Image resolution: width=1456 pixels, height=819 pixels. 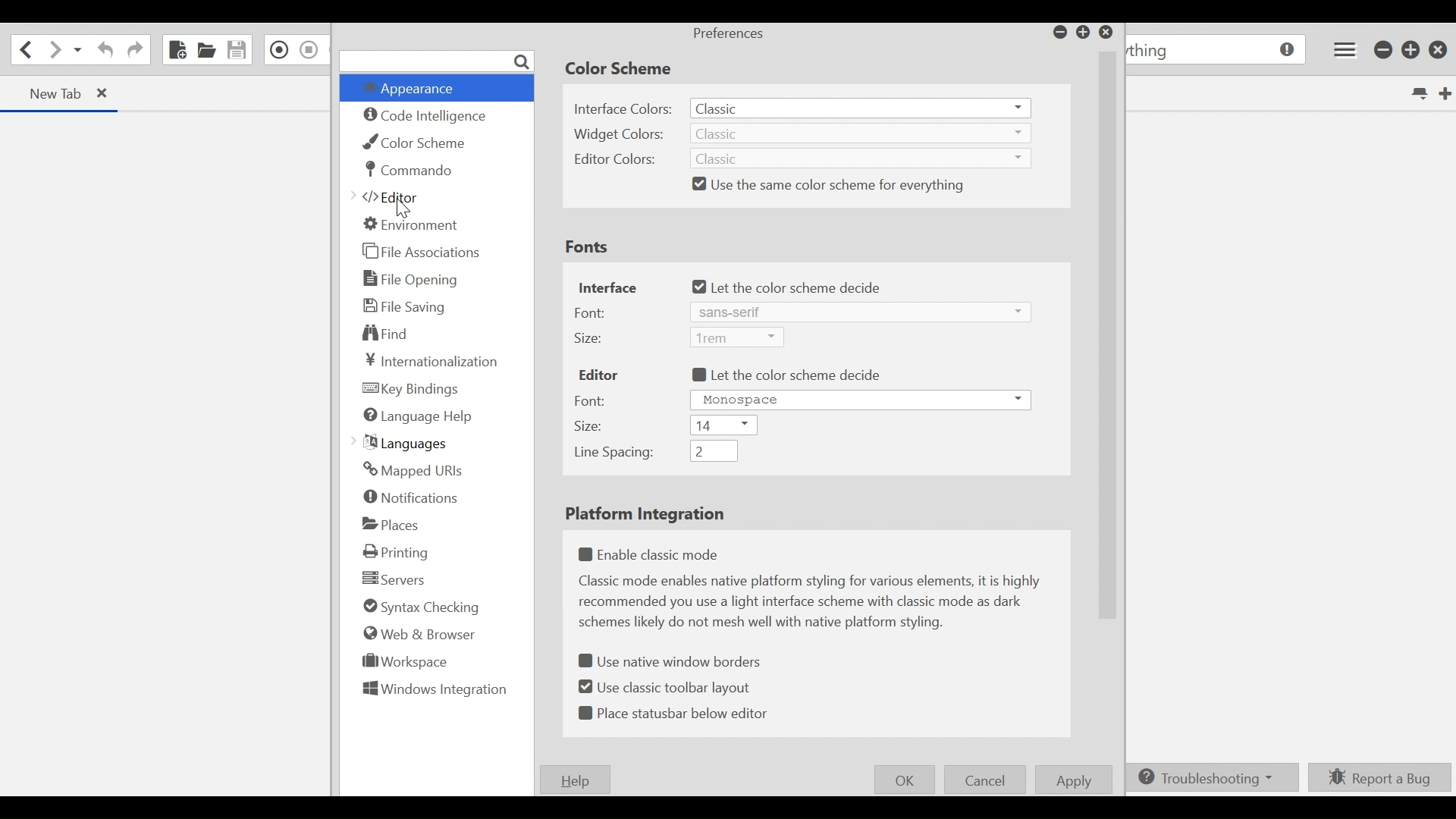 I want to click on Size, so click(x=591, y=339).